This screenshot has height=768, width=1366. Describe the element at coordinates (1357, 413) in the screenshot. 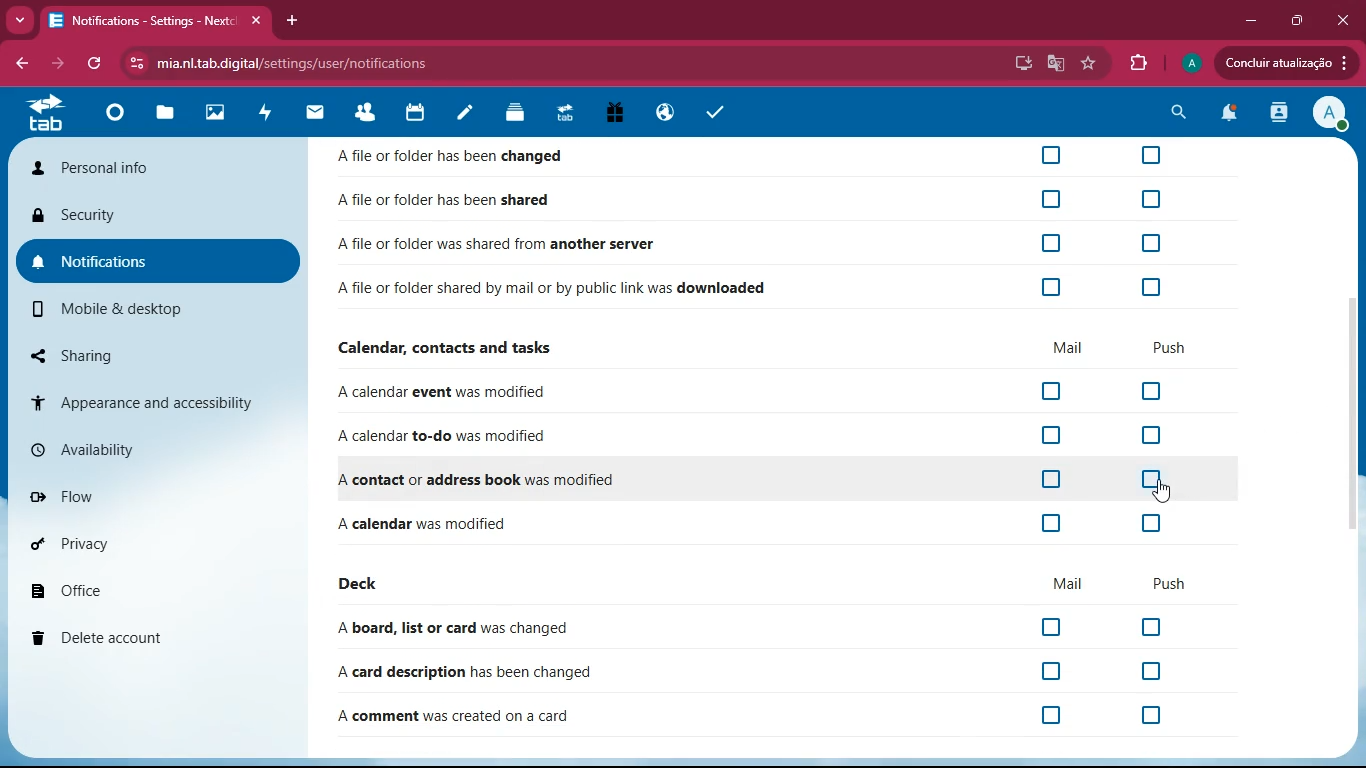

I see `Scrollbar` at that location.